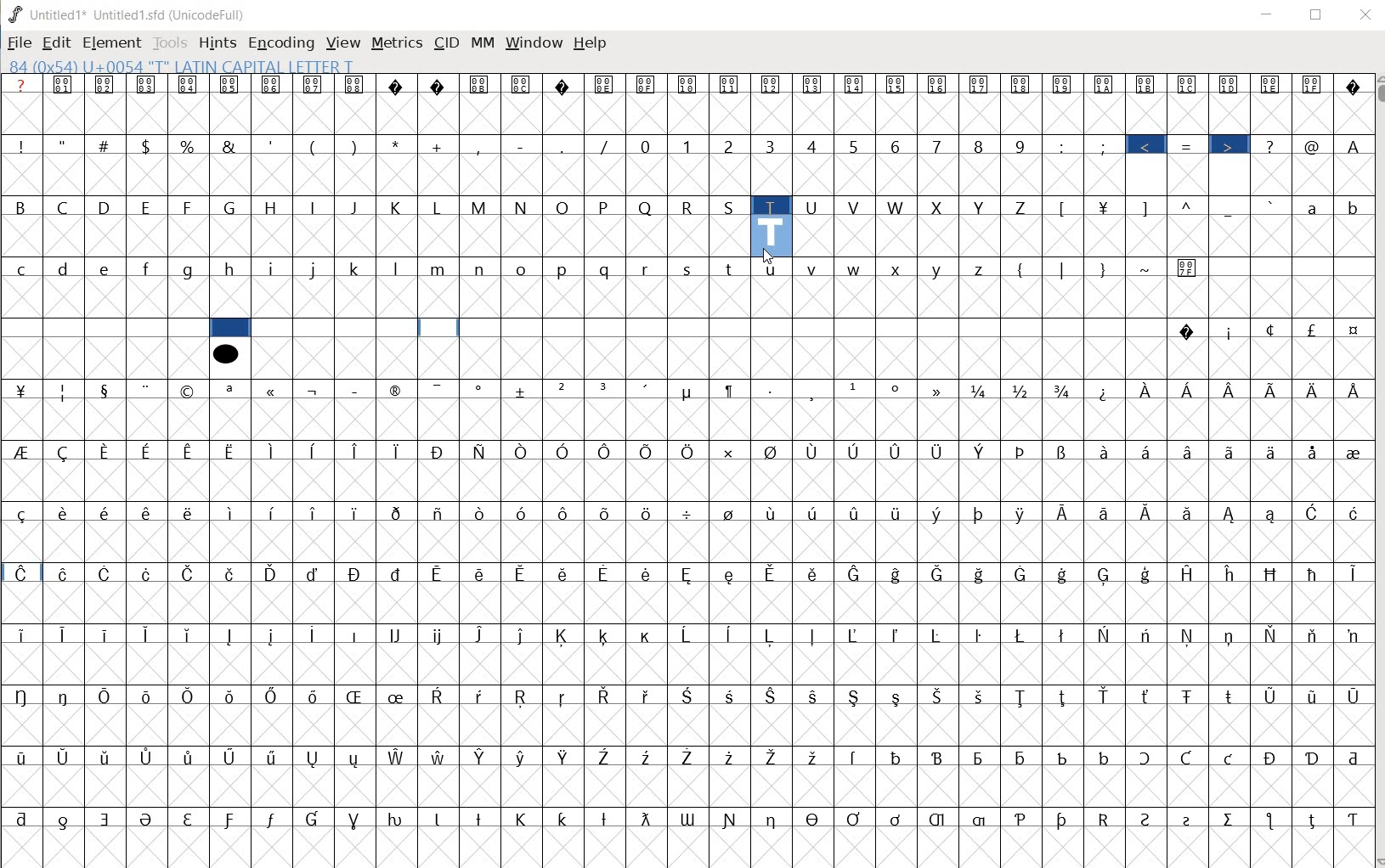  Describe the element at coordinates (732, 389) in the screenshot. I see `Symbol` at that location.